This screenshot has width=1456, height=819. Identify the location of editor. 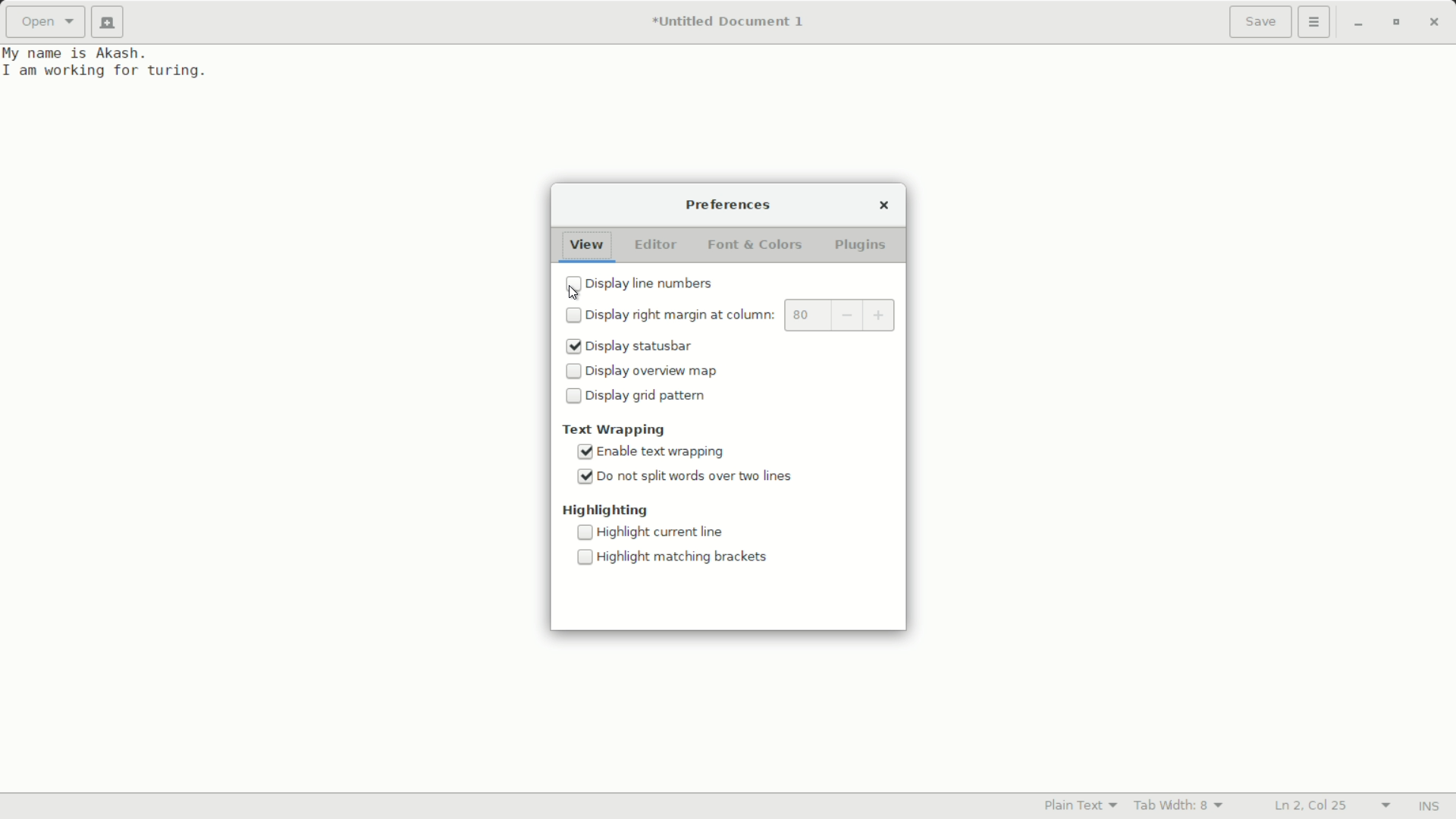
(658, 247).